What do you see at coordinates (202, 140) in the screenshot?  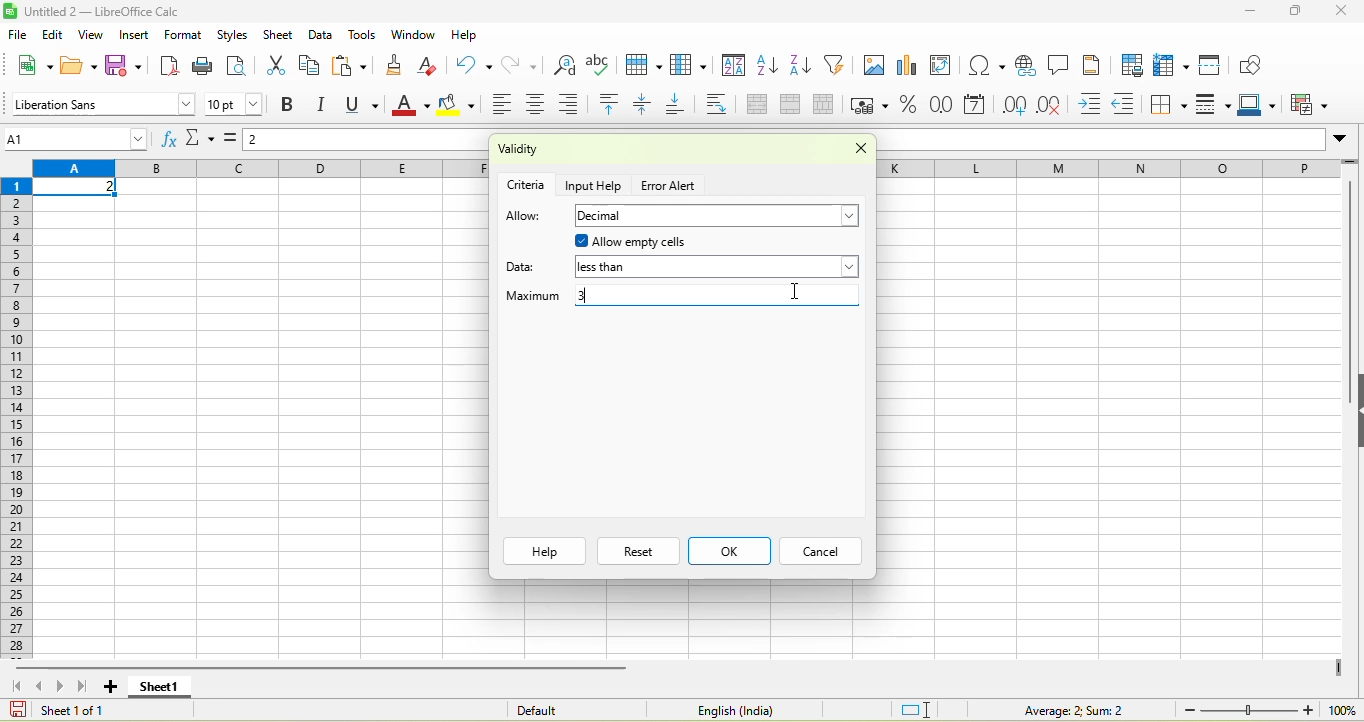 I see `select function` at bounding box center [202, 140].